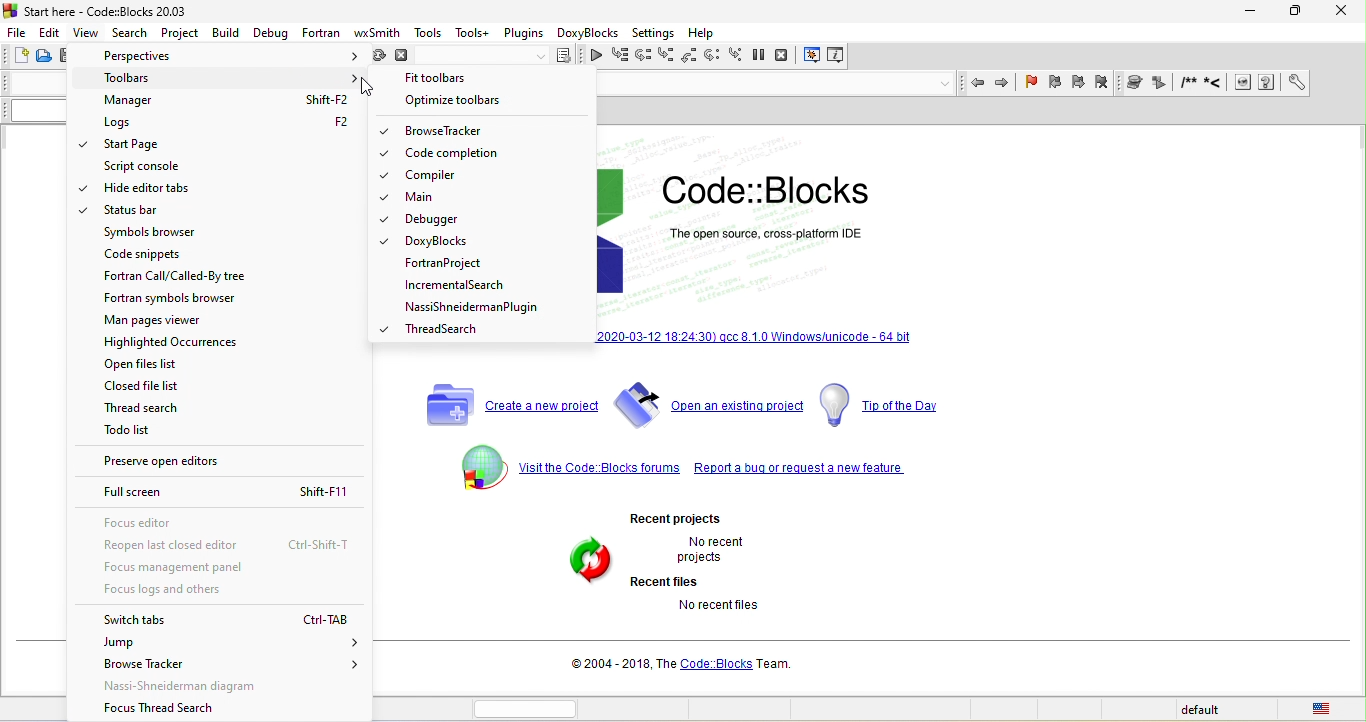 The height and width of the screenshot is (722, 1366). What do you see at coordinates (707, 31) in the screenshot?
I see `help` at bounding box center [707, 31].